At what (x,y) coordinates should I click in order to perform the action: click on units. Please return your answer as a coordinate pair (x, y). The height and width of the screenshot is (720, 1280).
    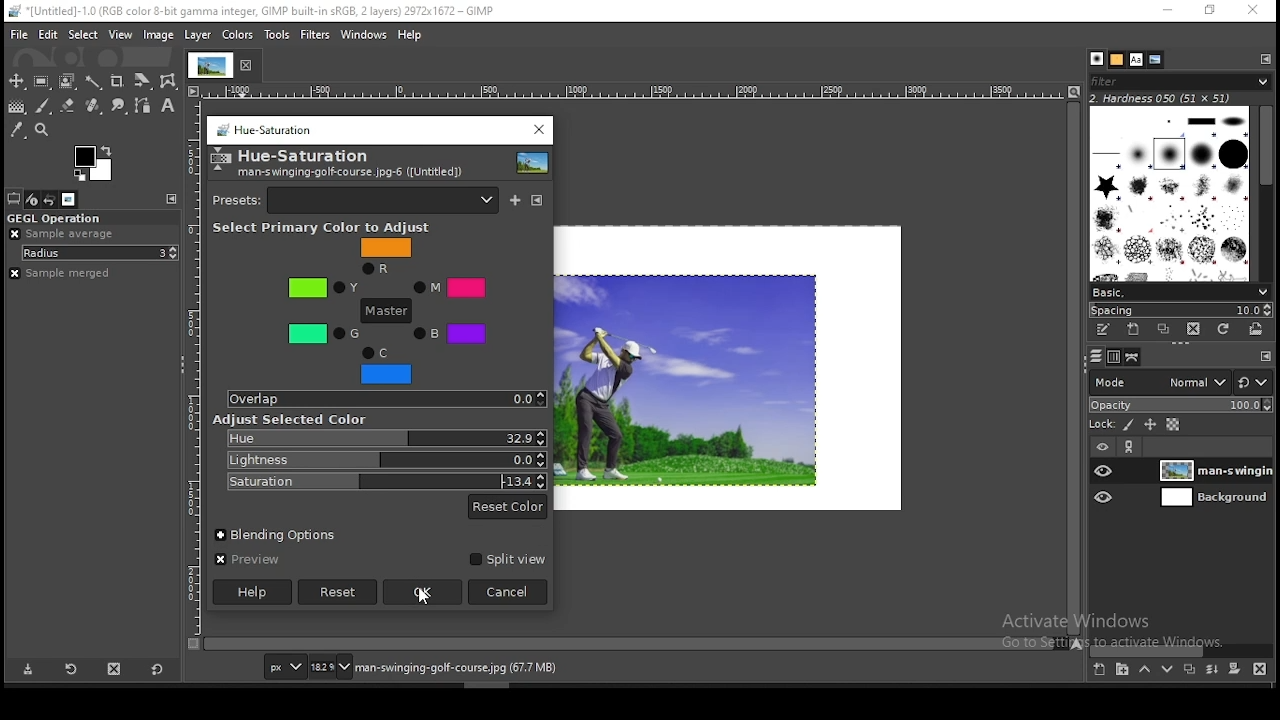
    Looking at the image, I should click on (288, 667).